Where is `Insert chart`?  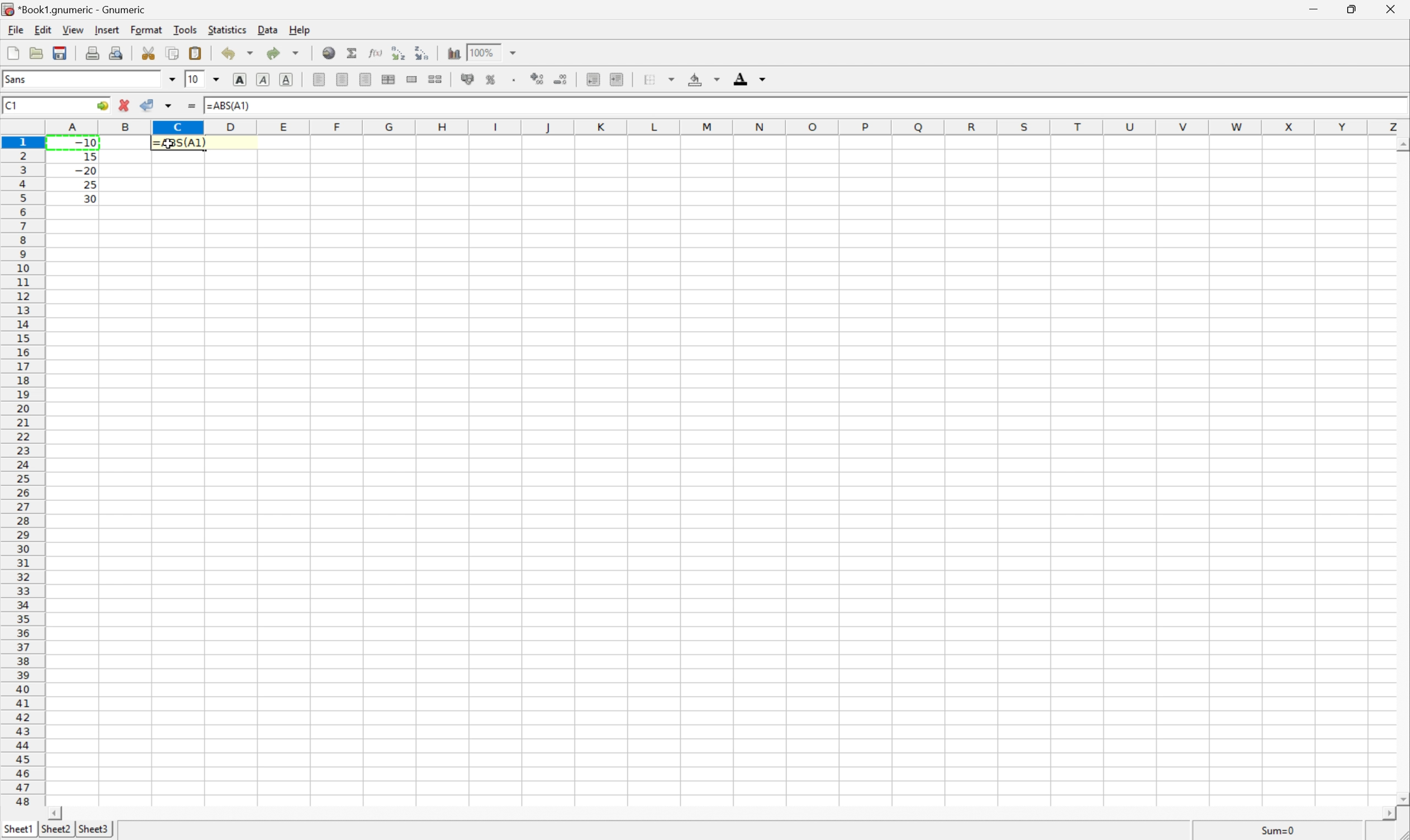 Insert chart is located at coordinates (454, 52).